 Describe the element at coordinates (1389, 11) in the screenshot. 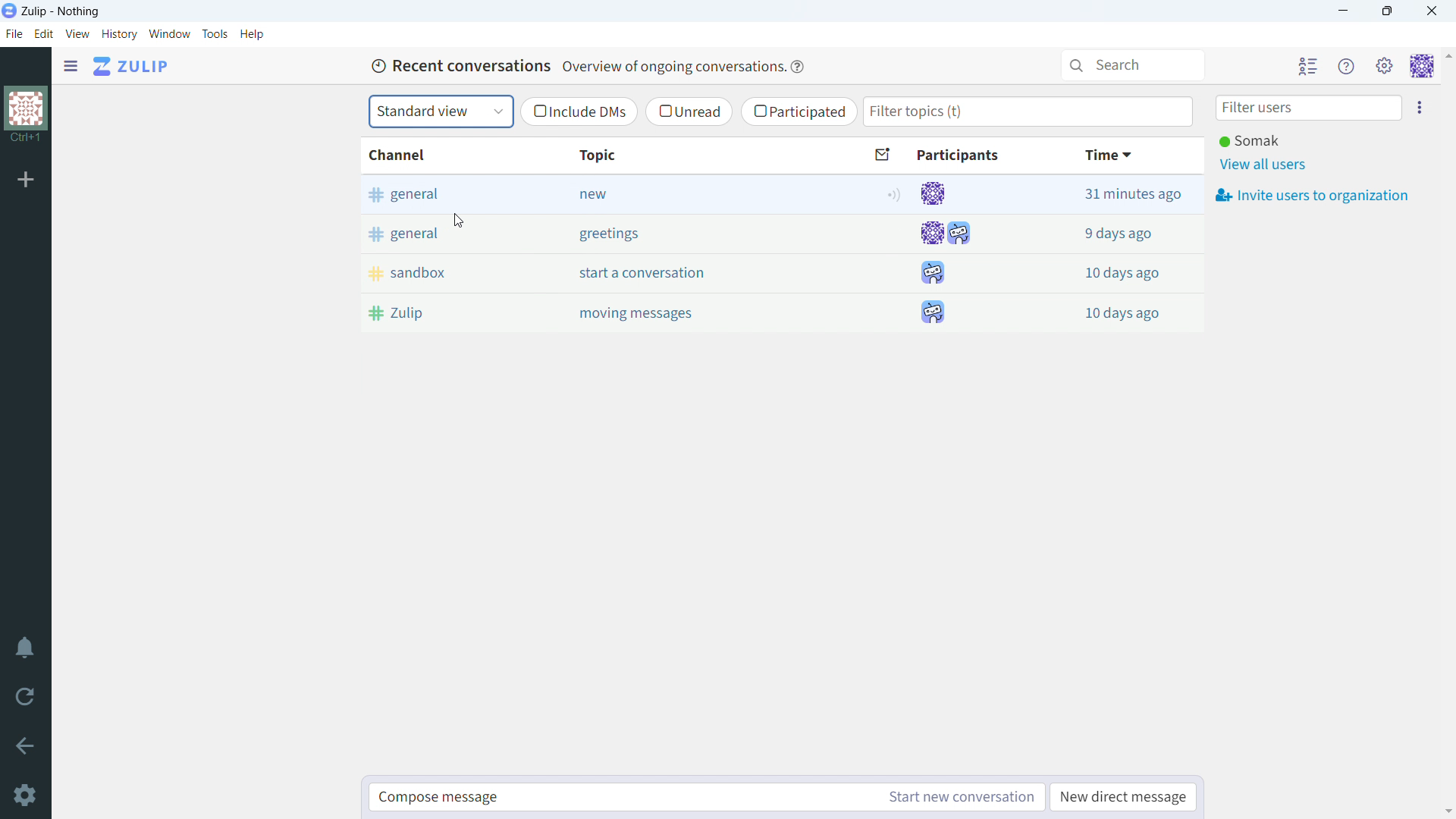

I see `maximize` at that location.